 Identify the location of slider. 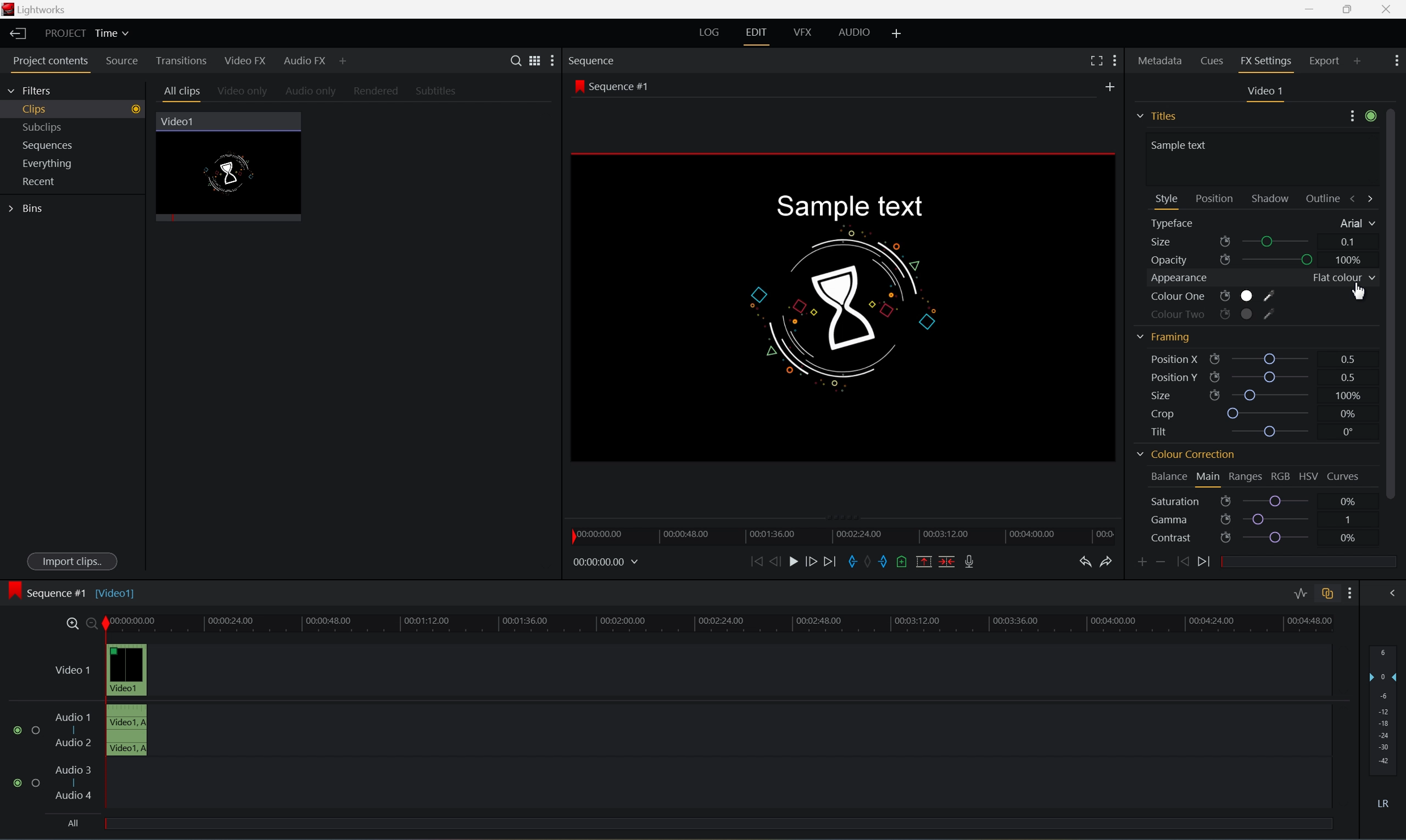
(1282, 538).